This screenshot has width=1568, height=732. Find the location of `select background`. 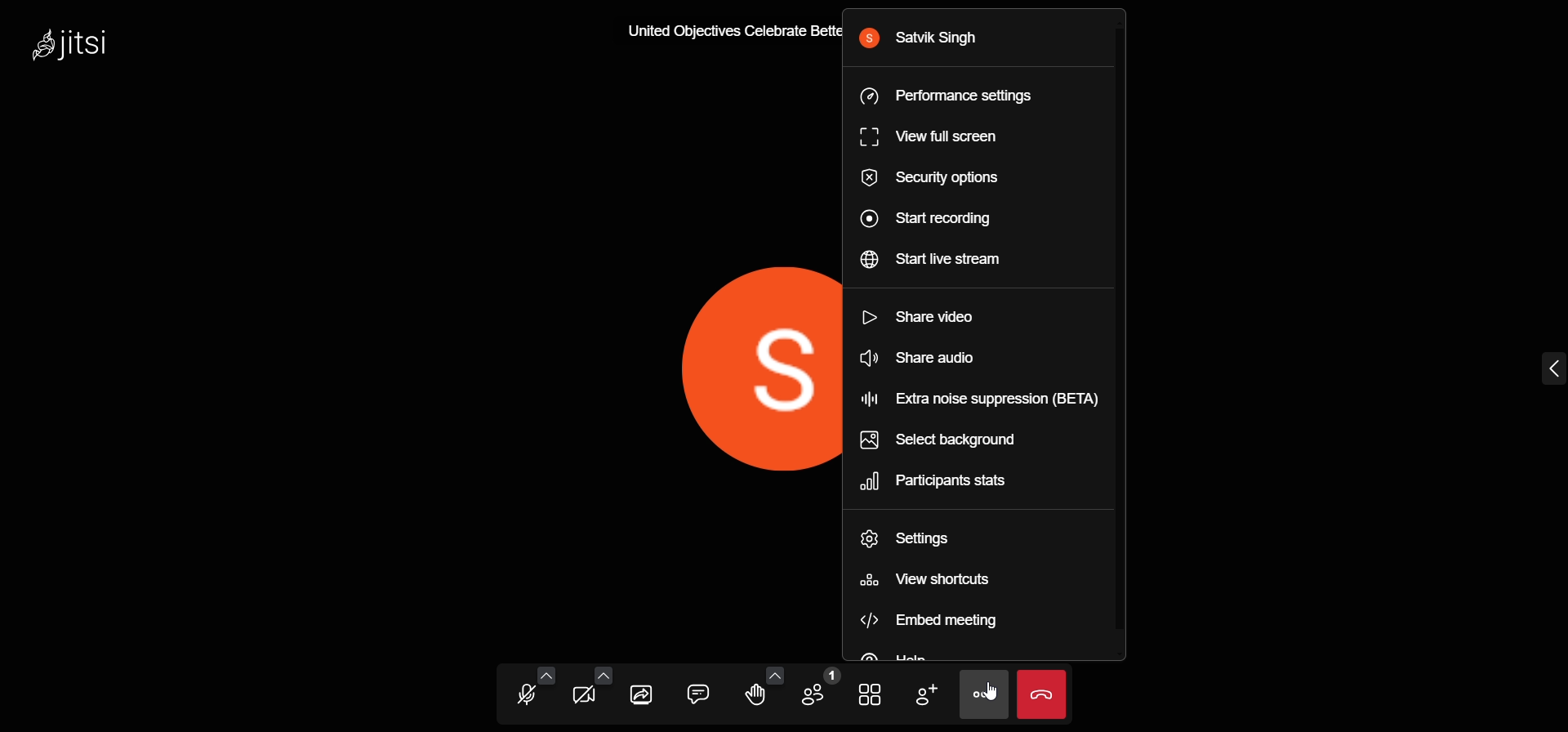

select background is located at coordinates (949, 438).